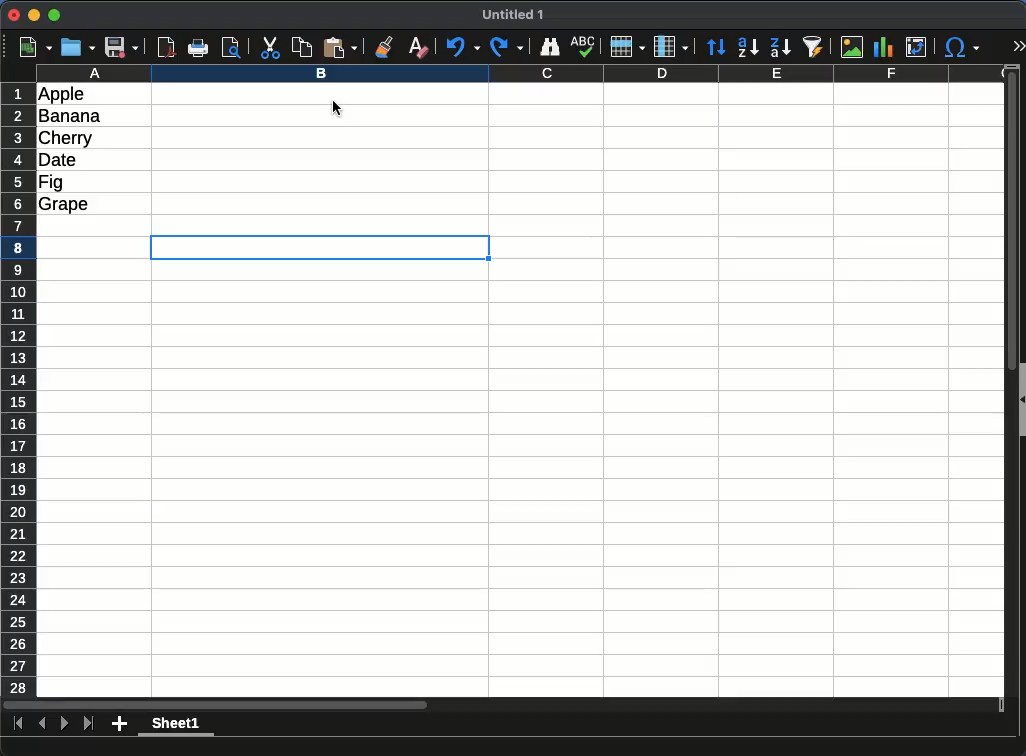  What do you see at coordinates (549, 47) in the screenshot?
I see `finder` at bounding box center [549, 47].